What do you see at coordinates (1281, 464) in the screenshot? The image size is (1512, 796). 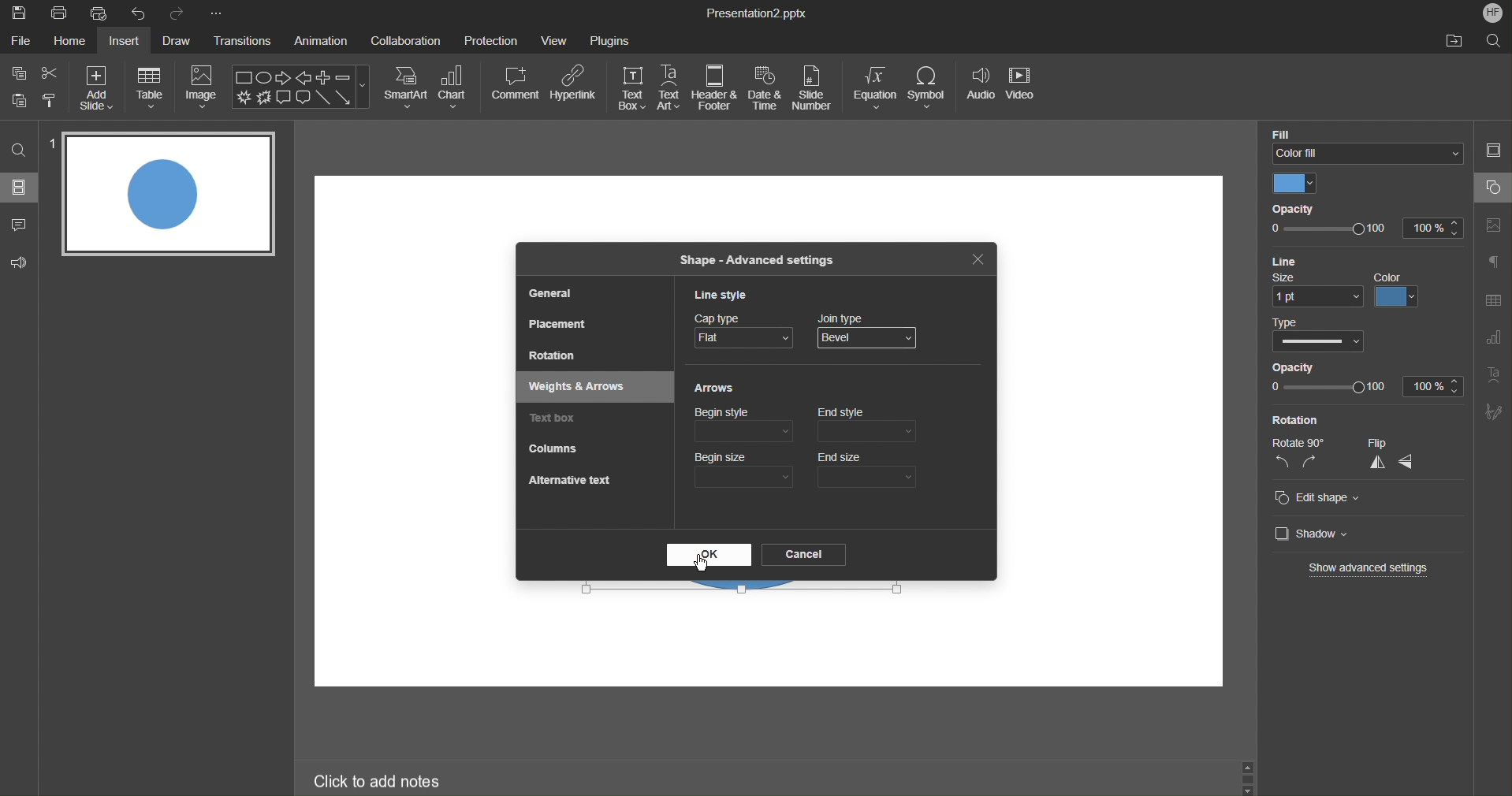 I see `left` at bounding box center [1281, 464].